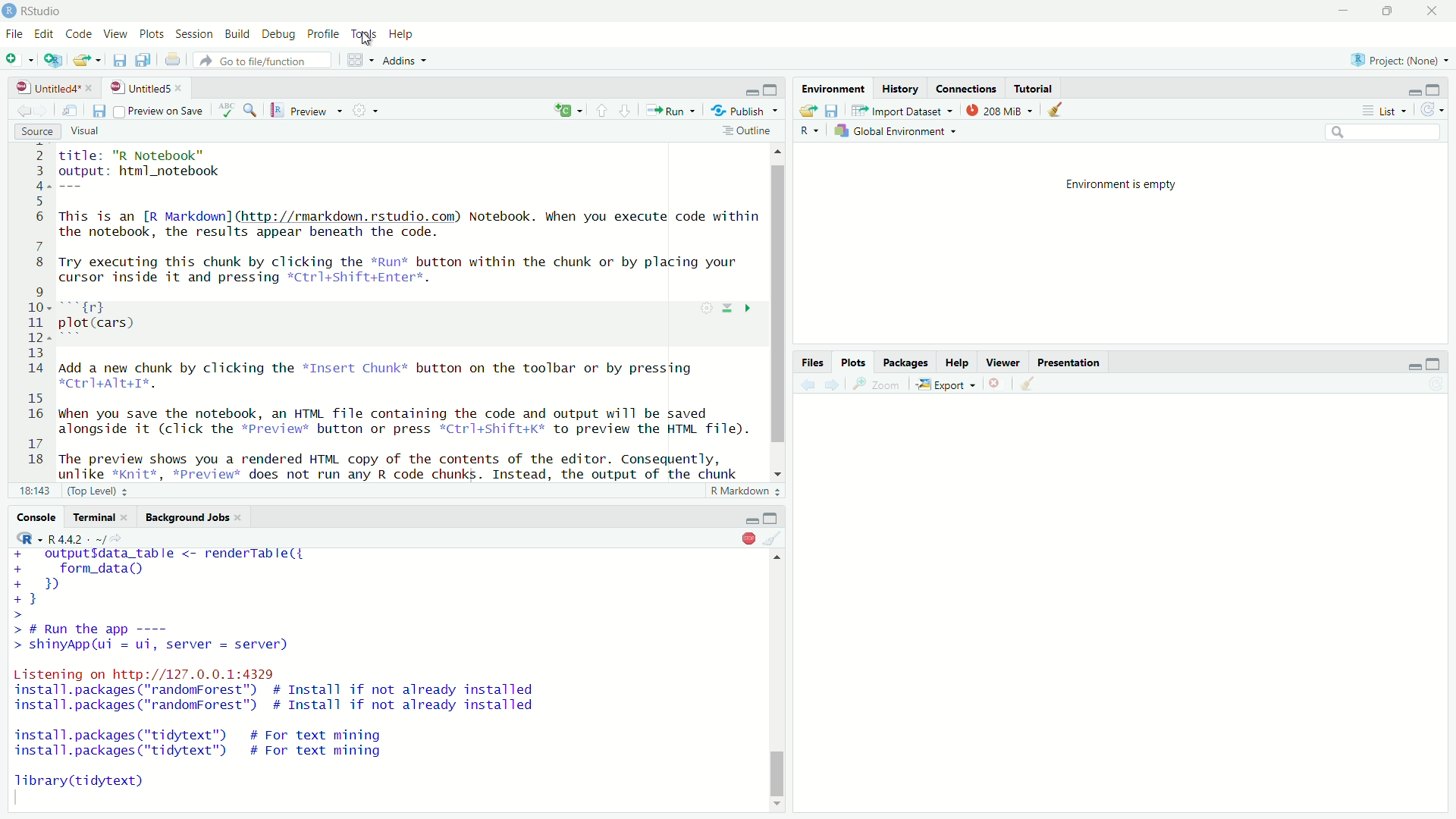  Describe the element at coordinates (152, 35) in the screenshot. I see `Plots` at that location.